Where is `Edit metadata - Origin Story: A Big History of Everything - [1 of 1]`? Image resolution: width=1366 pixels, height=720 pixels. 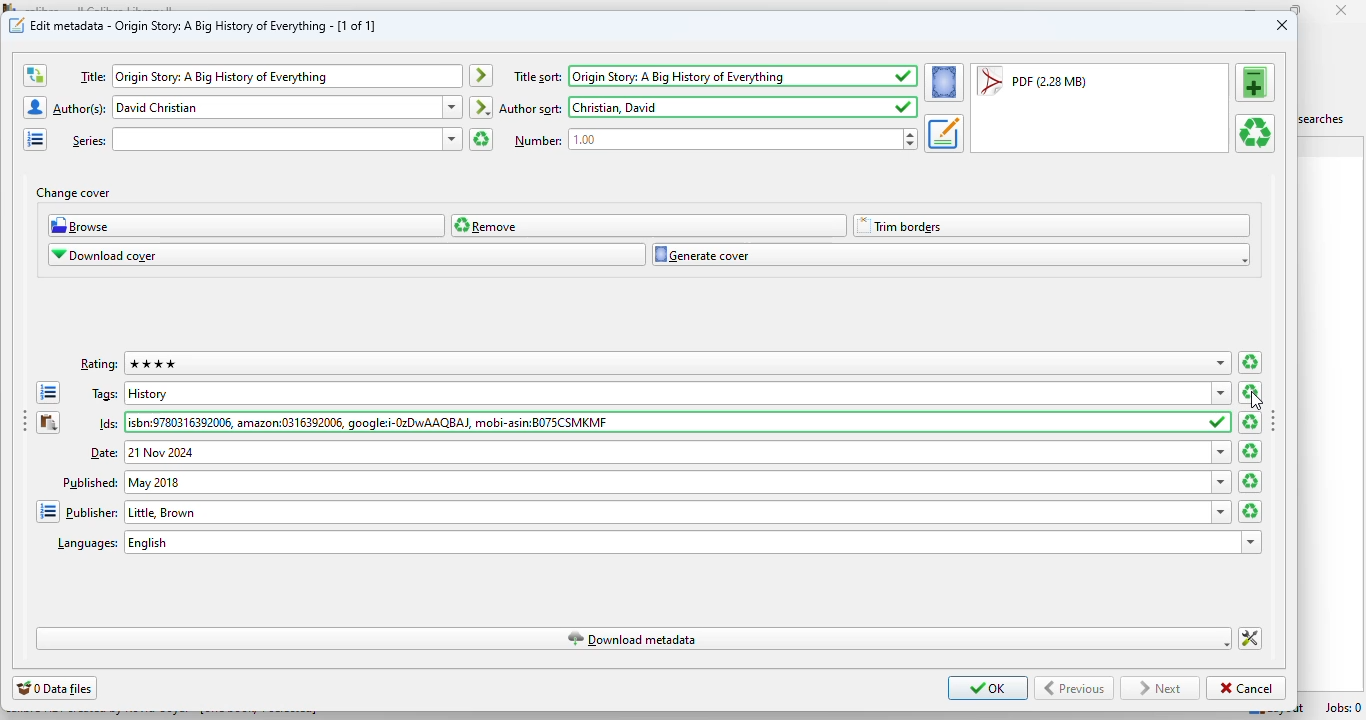
Edit metadata - Origin Story: A Big History of Everything - [1 of 1] is located at coordinates (204, 25).